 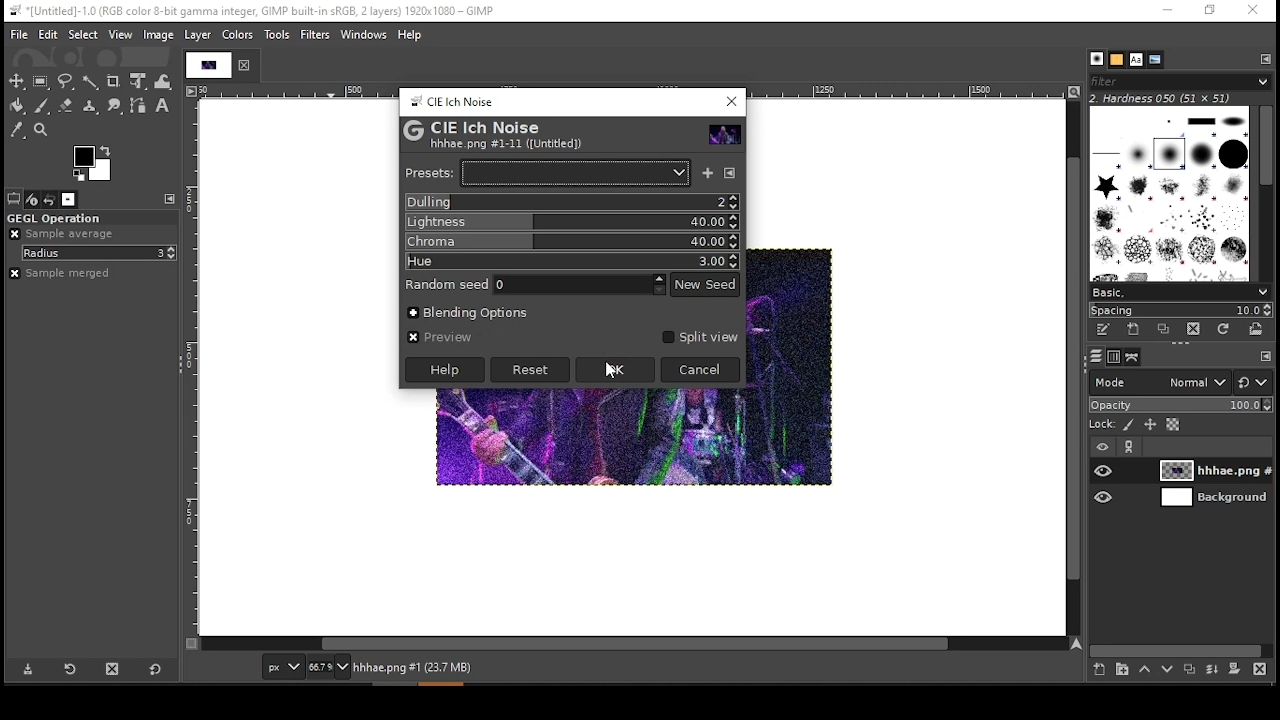 What do you see at coordinates (159, 34) in the screenshot?
I see `image` at bounding box center [159, 34].